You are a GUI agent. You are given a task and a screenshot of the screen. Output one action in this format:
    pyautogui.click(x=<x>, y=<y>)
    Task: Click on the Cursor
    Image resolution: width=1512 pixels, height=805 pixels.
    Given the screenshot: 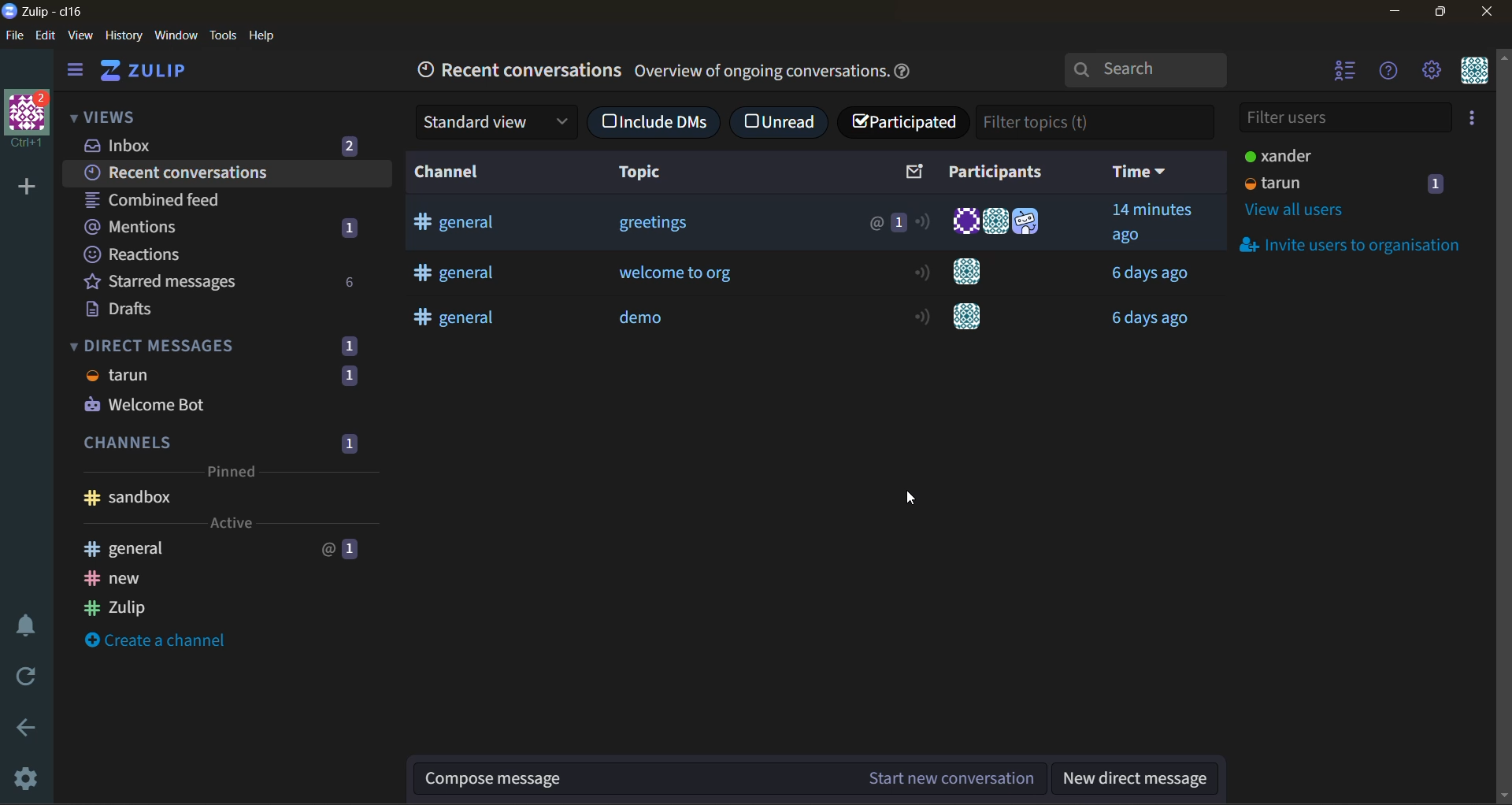 What is the action you would take?
    pyautogui.click(x=911, y=496)
    